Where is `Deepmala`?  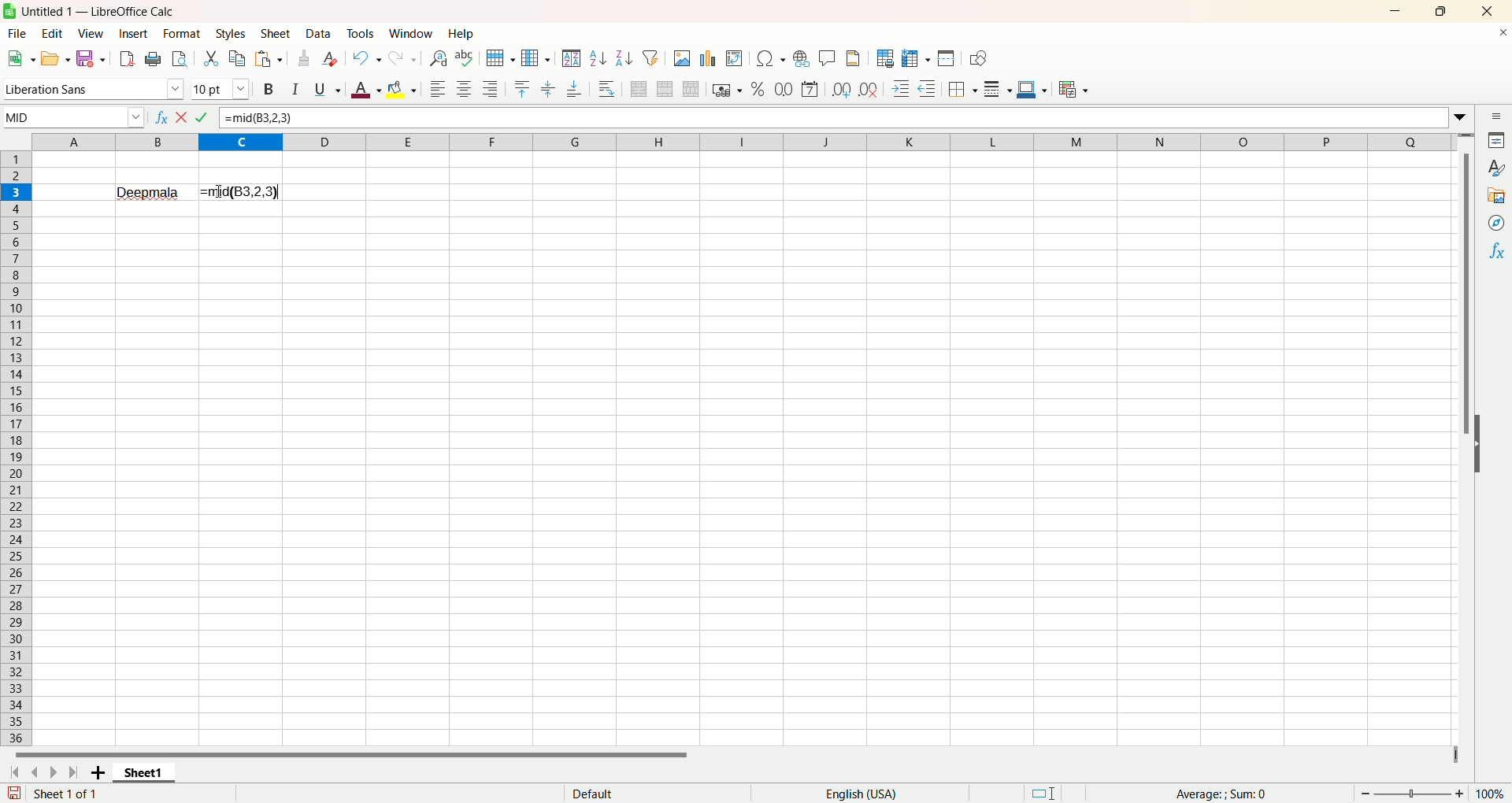 Deepmala is located at coordinates (150, 191).